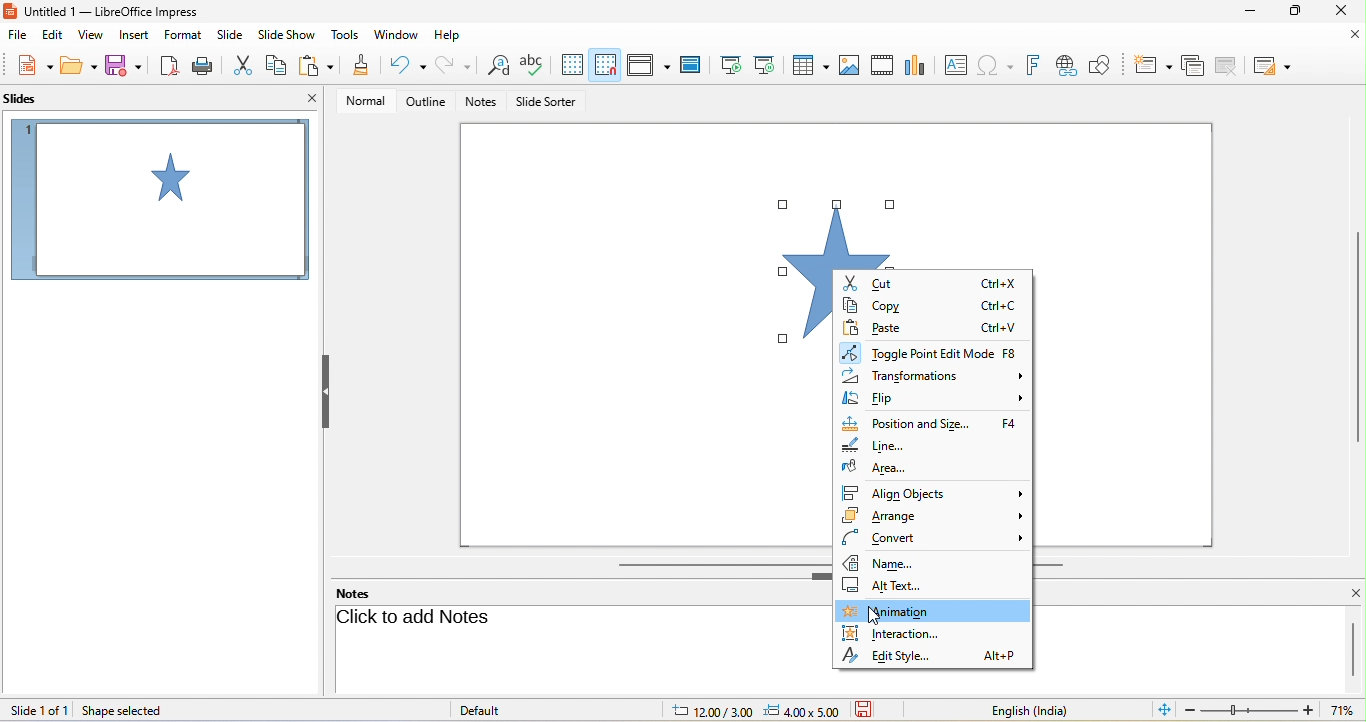 The image size is (1366, 722). I want to click on undo, so click(403, 65).